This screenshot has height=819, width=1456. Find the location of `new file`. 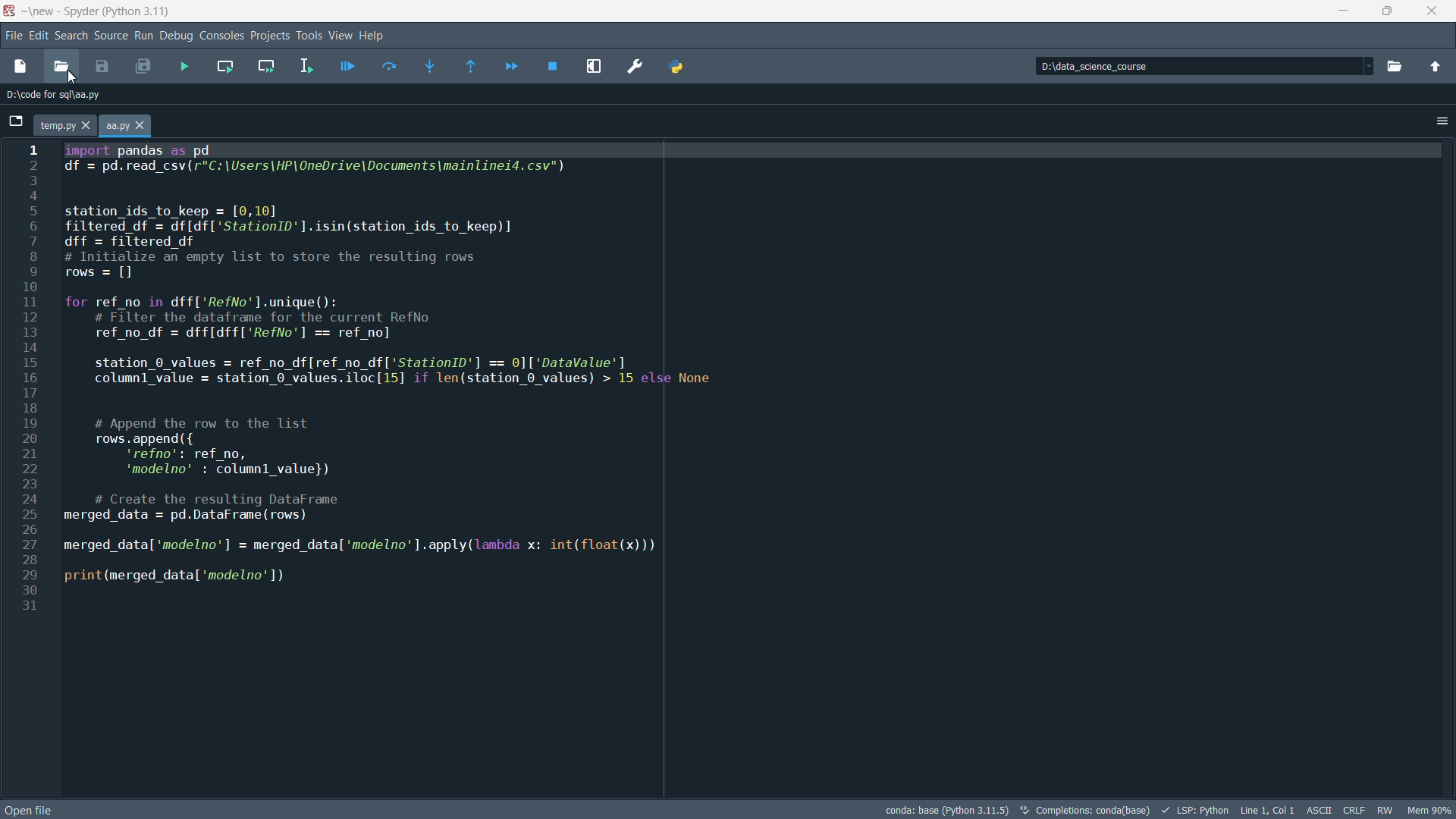

new file is located at coordinates (20, 67).